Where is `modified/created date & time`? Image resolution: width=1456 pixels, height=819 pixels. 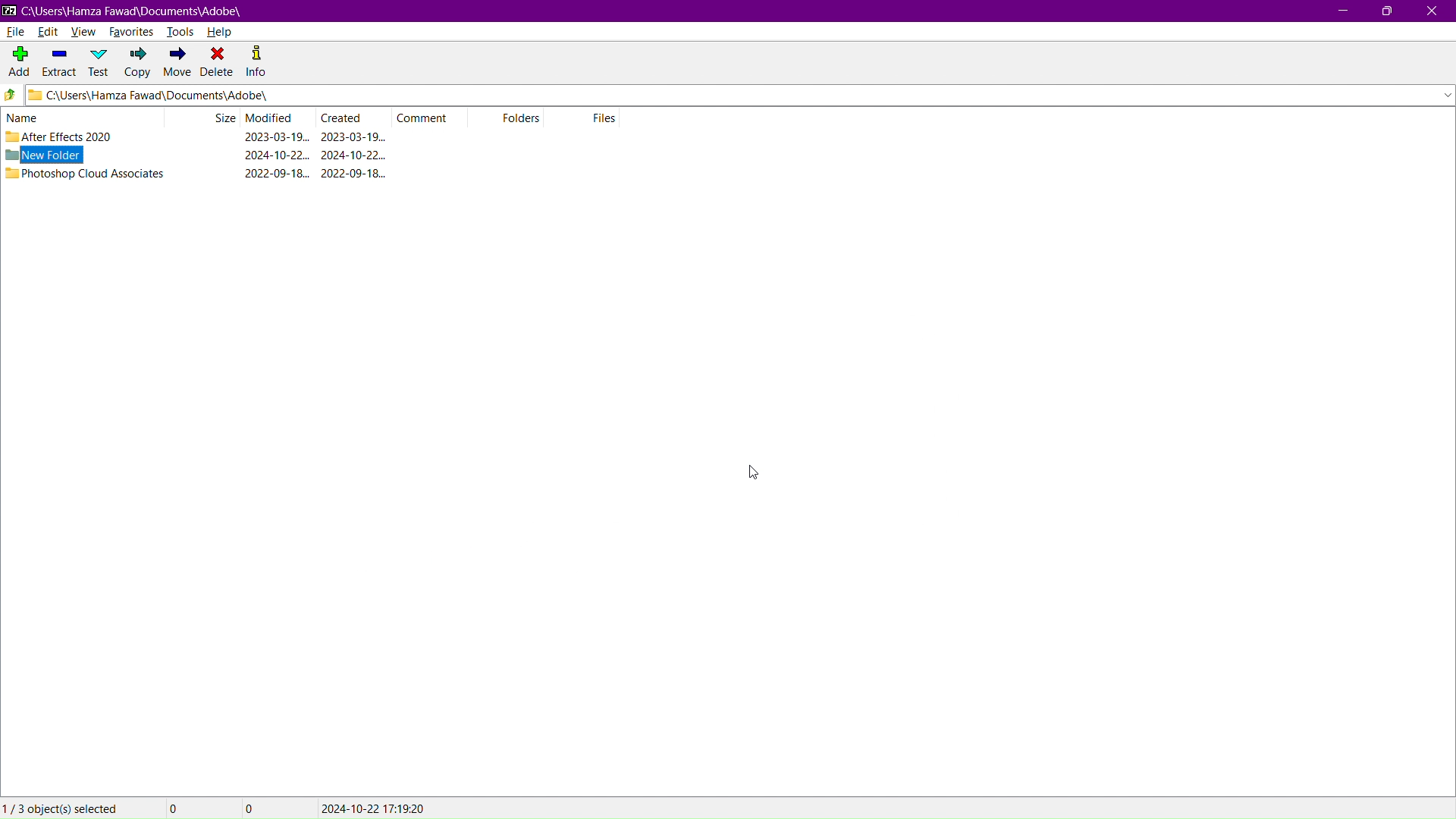
modified/created date & time is located at coordinates (372, 808).